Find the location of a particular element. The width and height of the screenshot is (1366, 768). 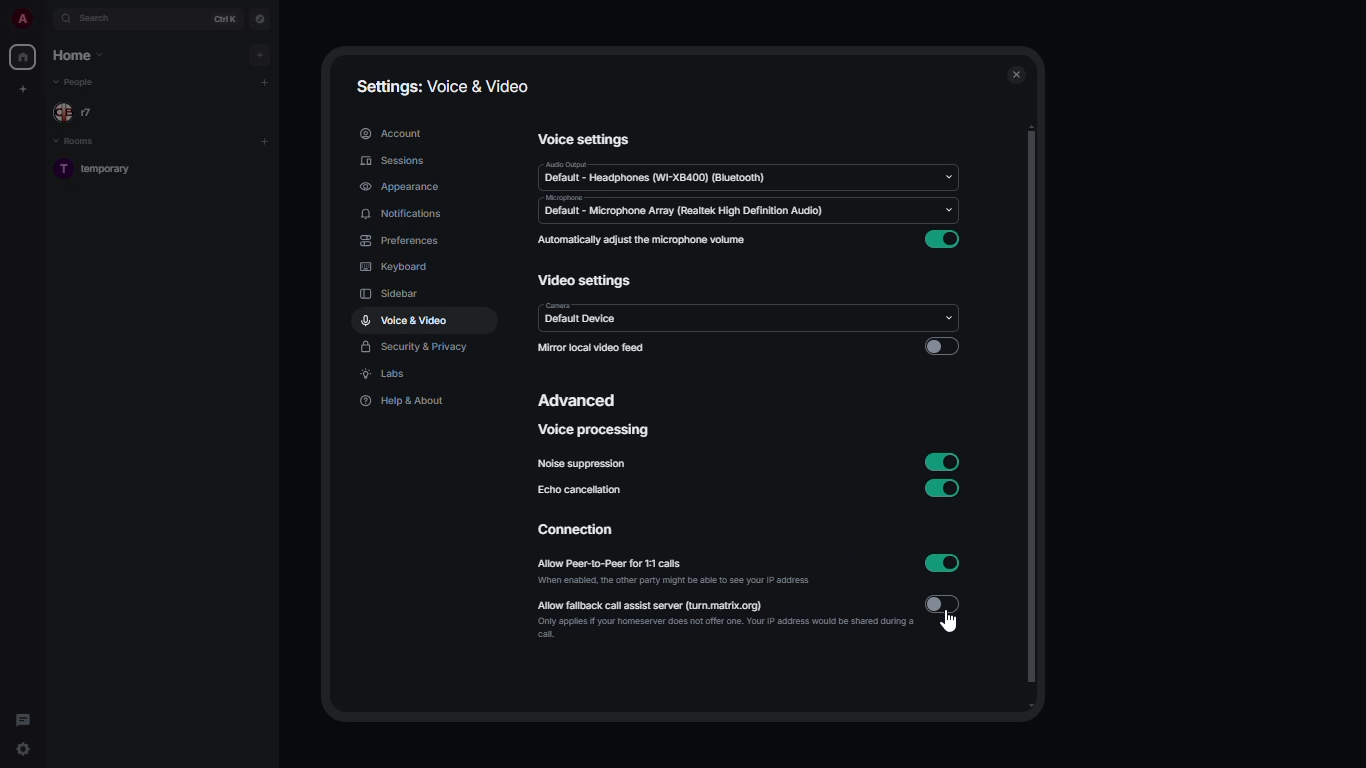

video settings is located at coordinates (585, 281).